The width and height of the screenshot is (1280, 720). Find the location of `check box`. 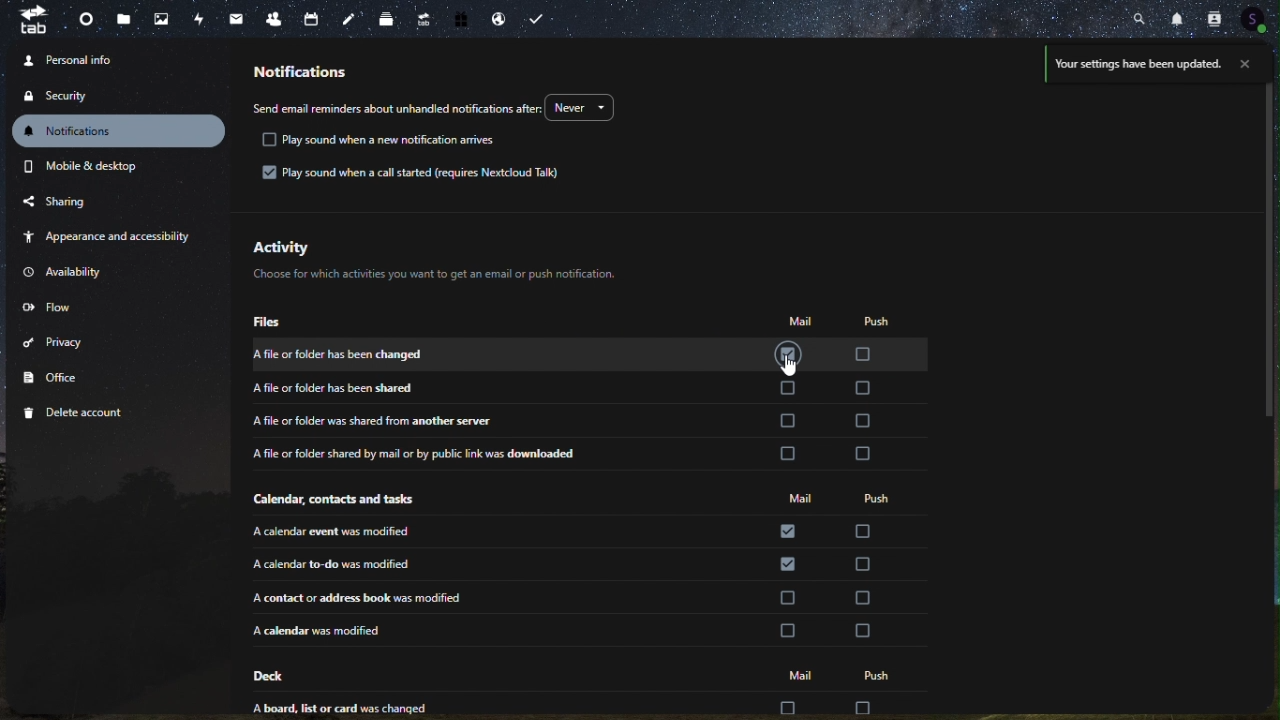

check box is located at coordinates (864, 705).